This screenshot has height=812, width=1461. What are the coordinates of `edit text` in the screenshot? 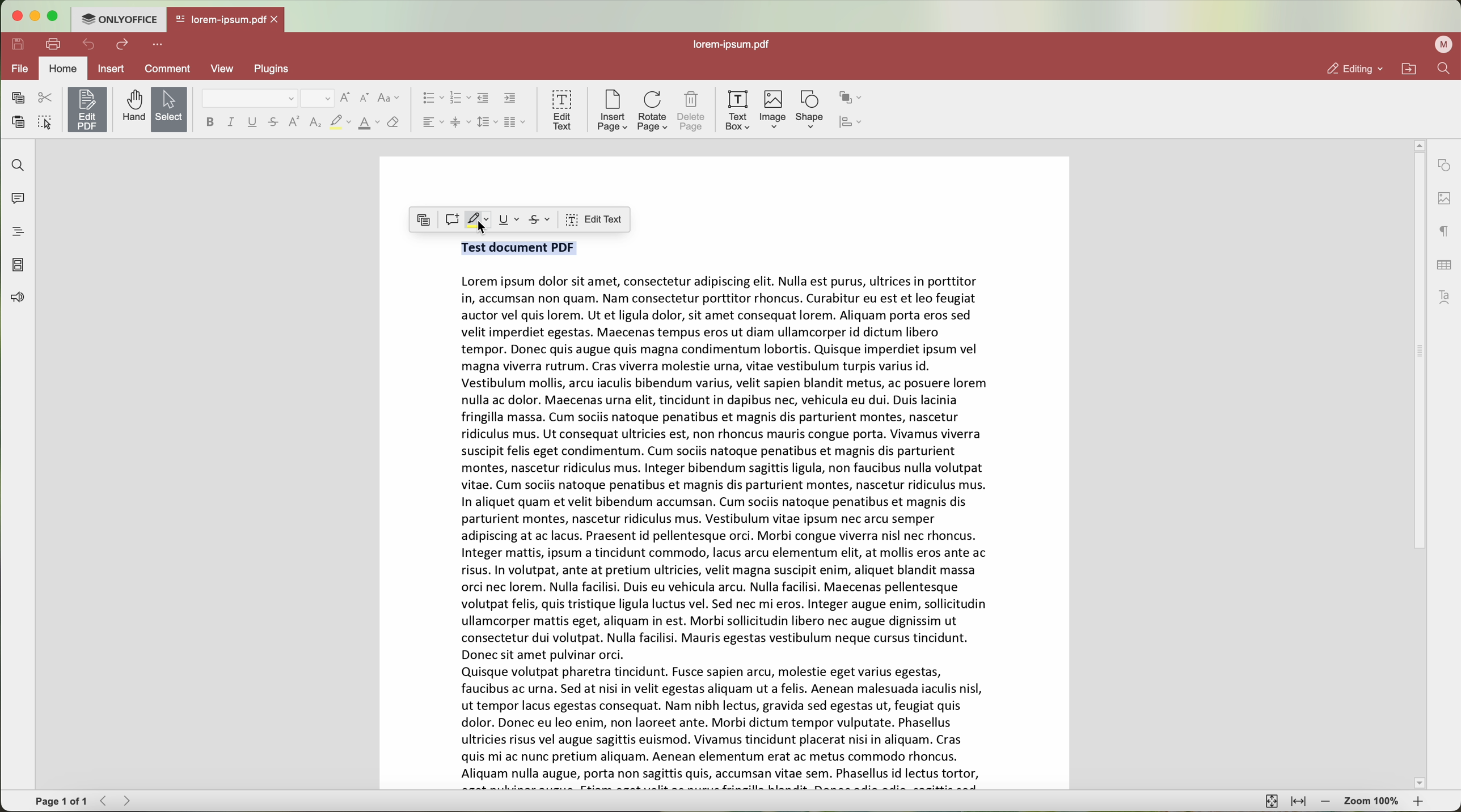 It's located at (560, 111).